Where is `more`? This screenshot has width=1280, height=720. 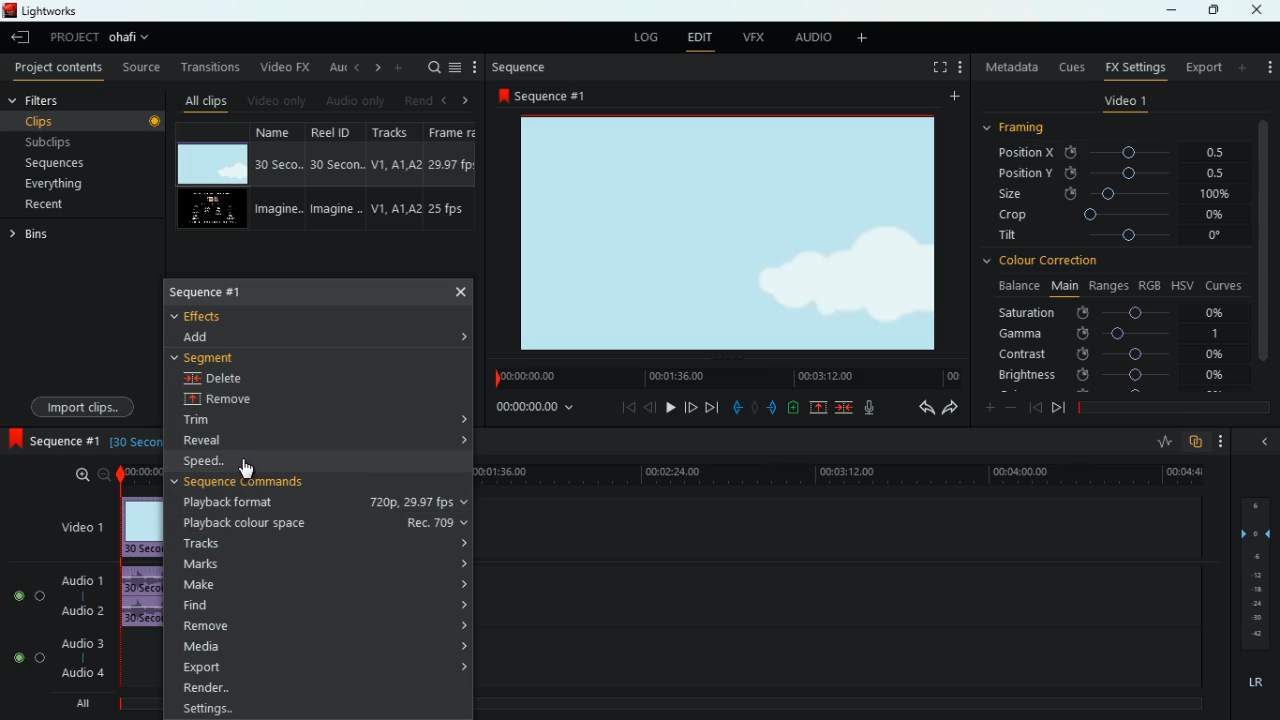 more is located at coordinates (952, 97).